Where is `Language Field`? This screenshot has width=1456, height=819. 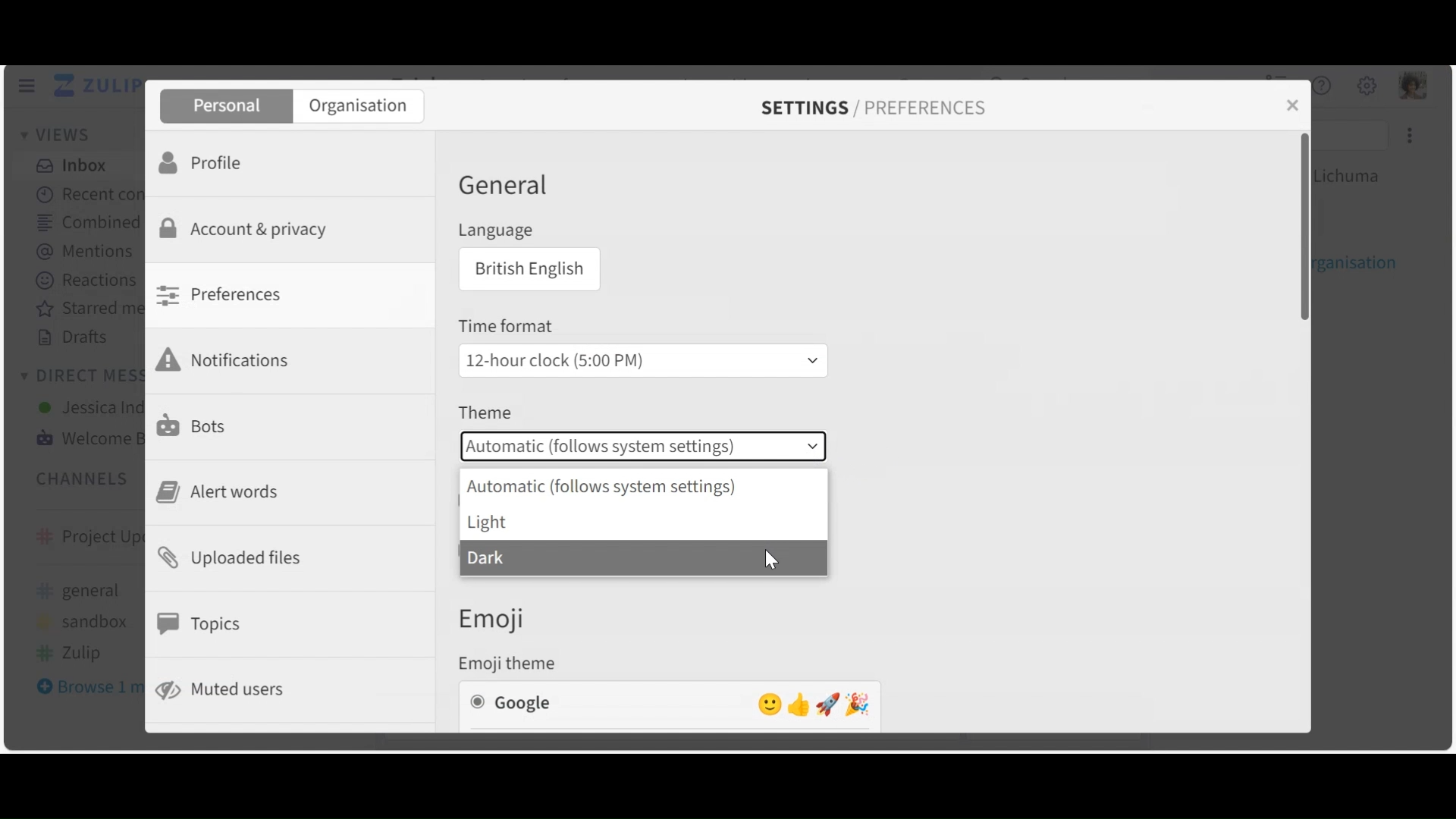
Language Field is located at coordinates (526, 270).